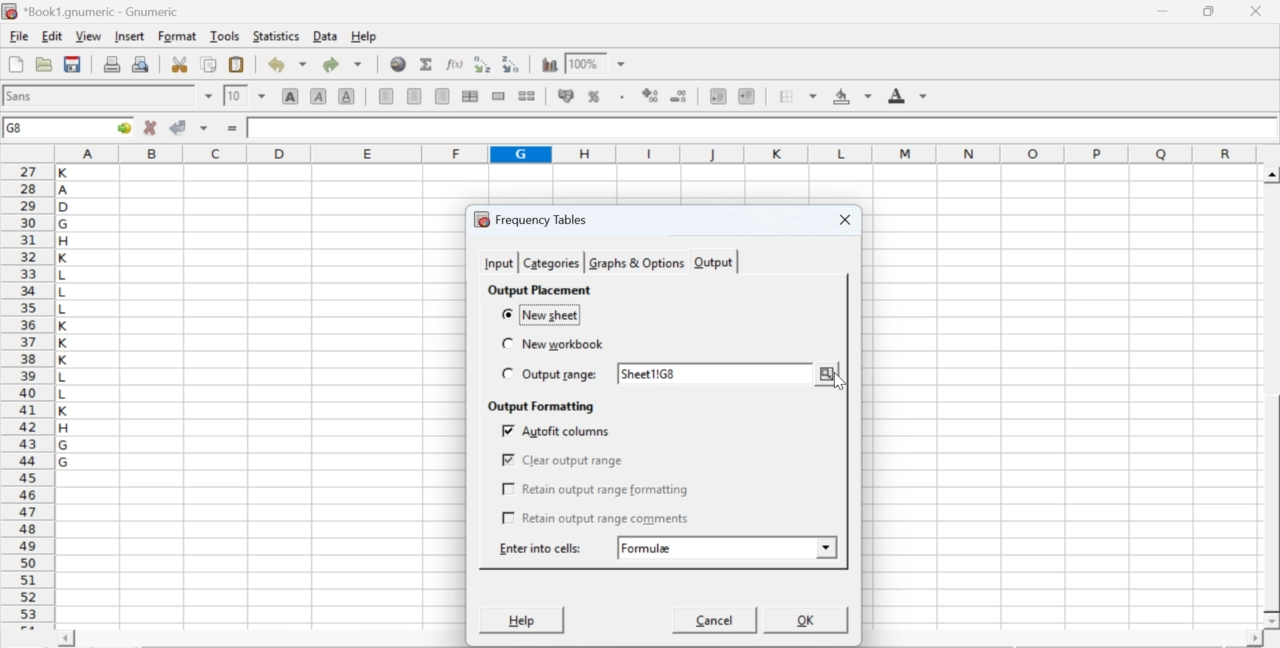 The height and width of the screenshot is (648, 1280). Describe the element at coordinates (550, 63) in the screenshot. I see `insert chart` at that location.